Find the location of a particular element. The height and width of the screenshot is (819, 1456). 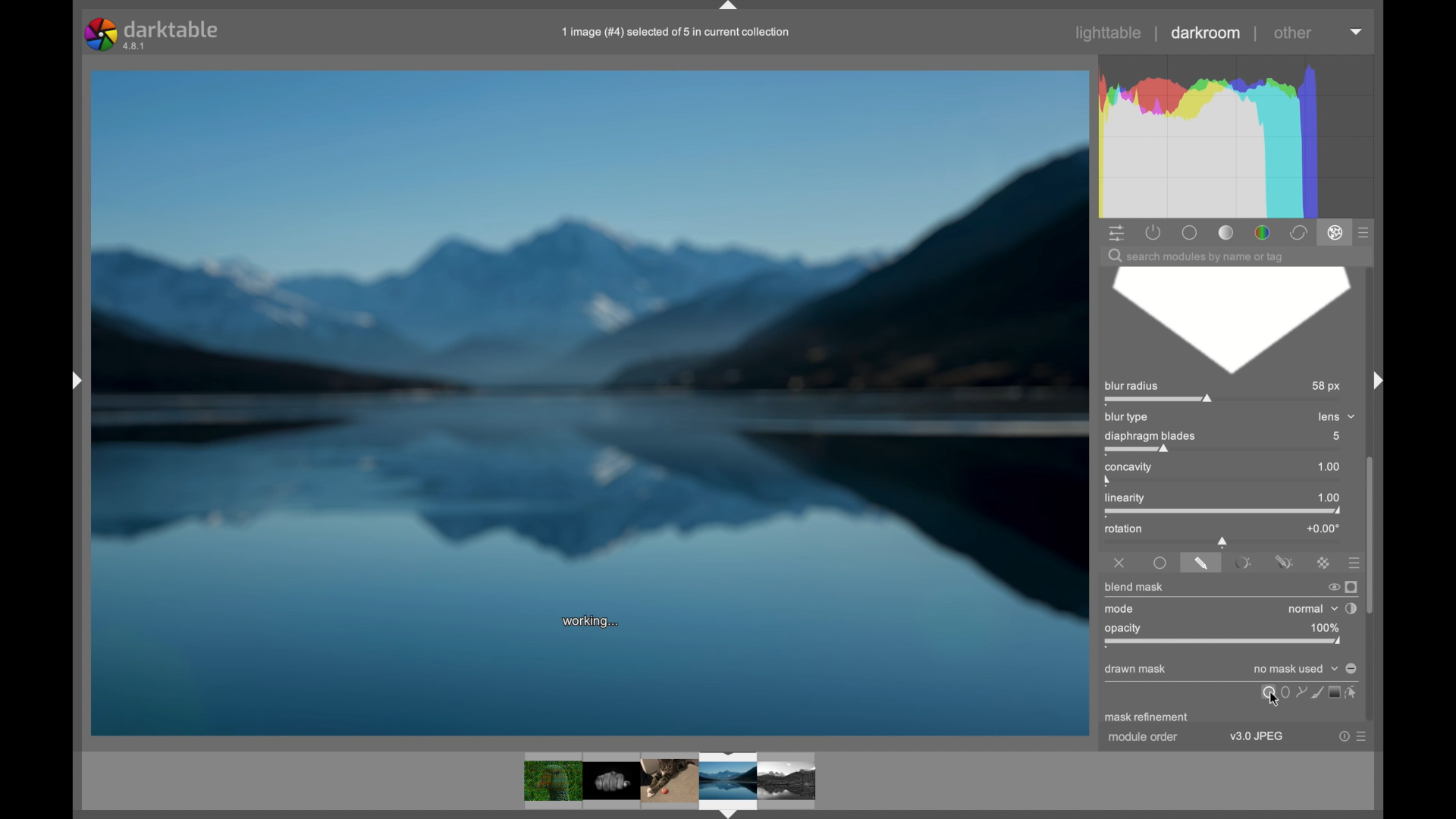

100% is located at coordinates (1325, 627).